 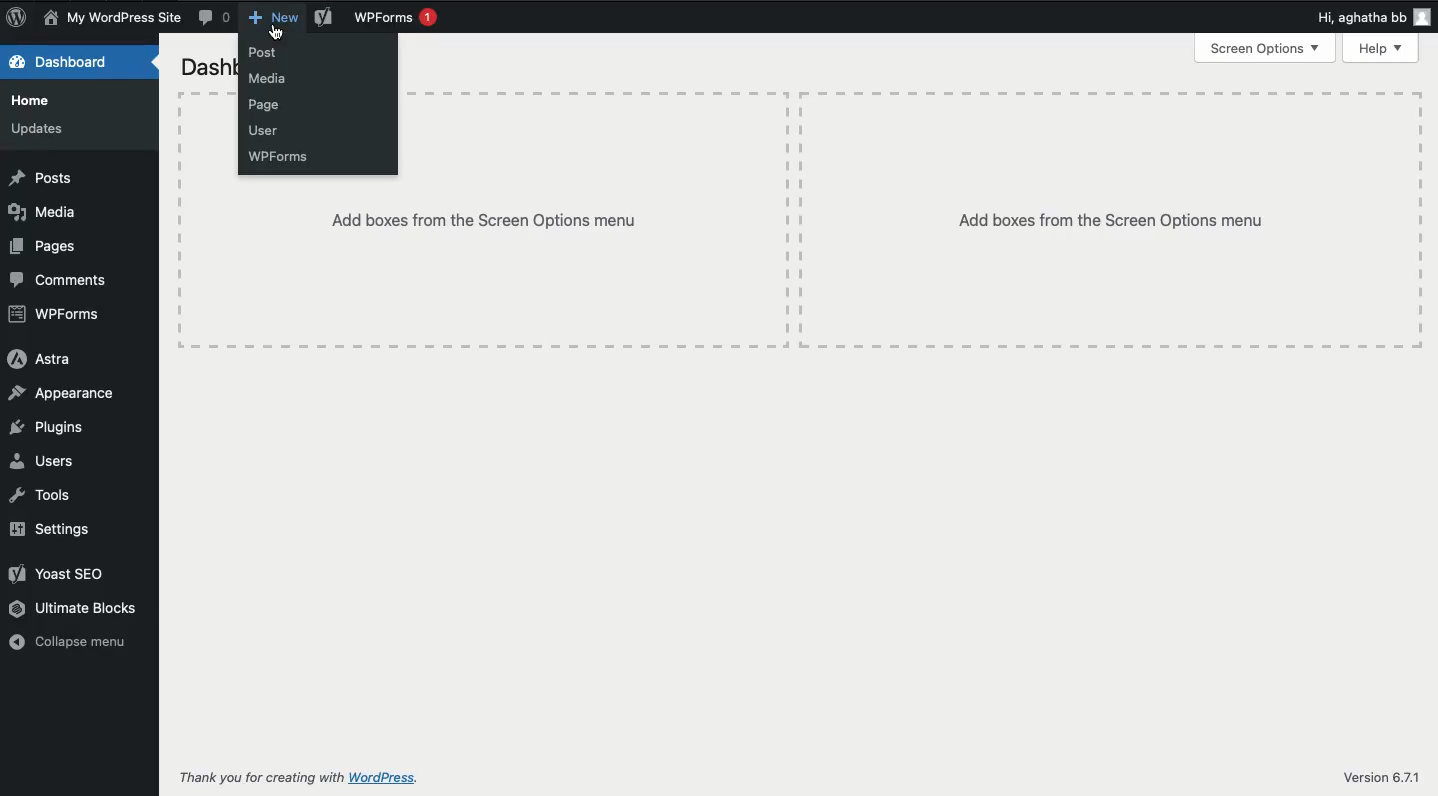 What do you see at coordinates (264, 131) in the screenshot?
I see `User` at bounding box center [264, 131].